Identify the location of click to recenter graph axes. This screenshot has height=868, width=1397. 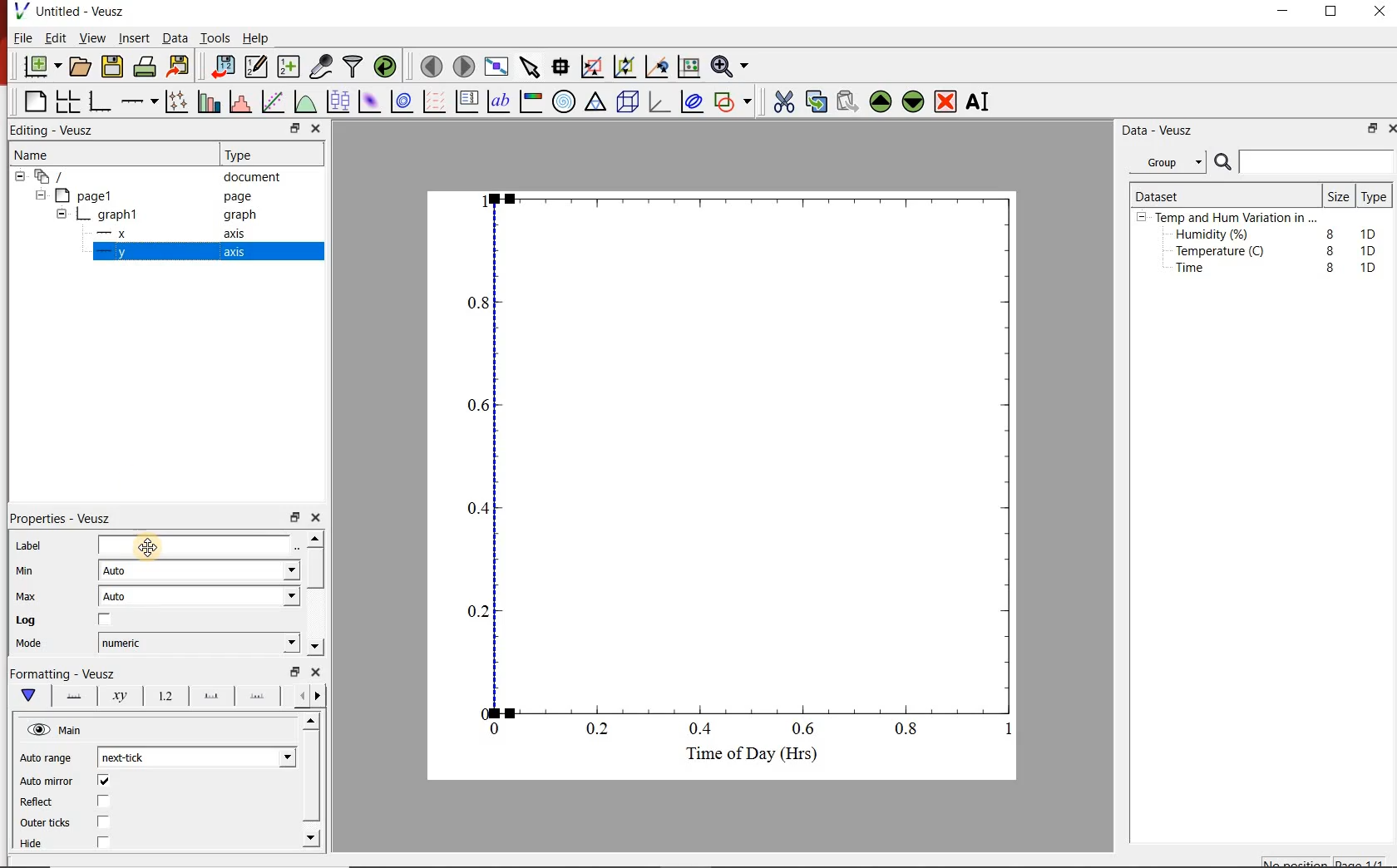
(657, 67).